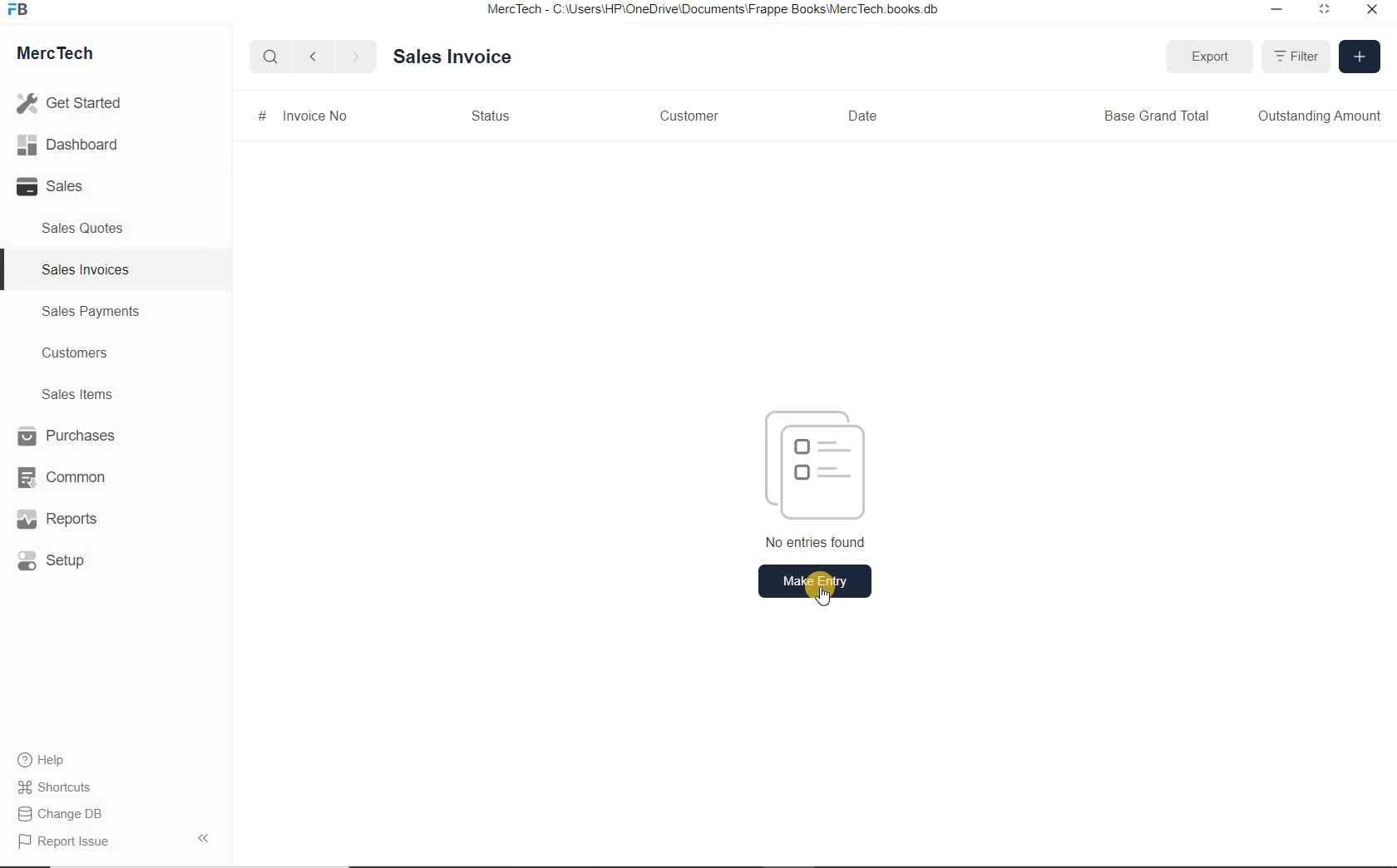  What do you see at coordinates (1370, 12) in the screenshot?
I see `Close` at bounding box center [1370, 12].